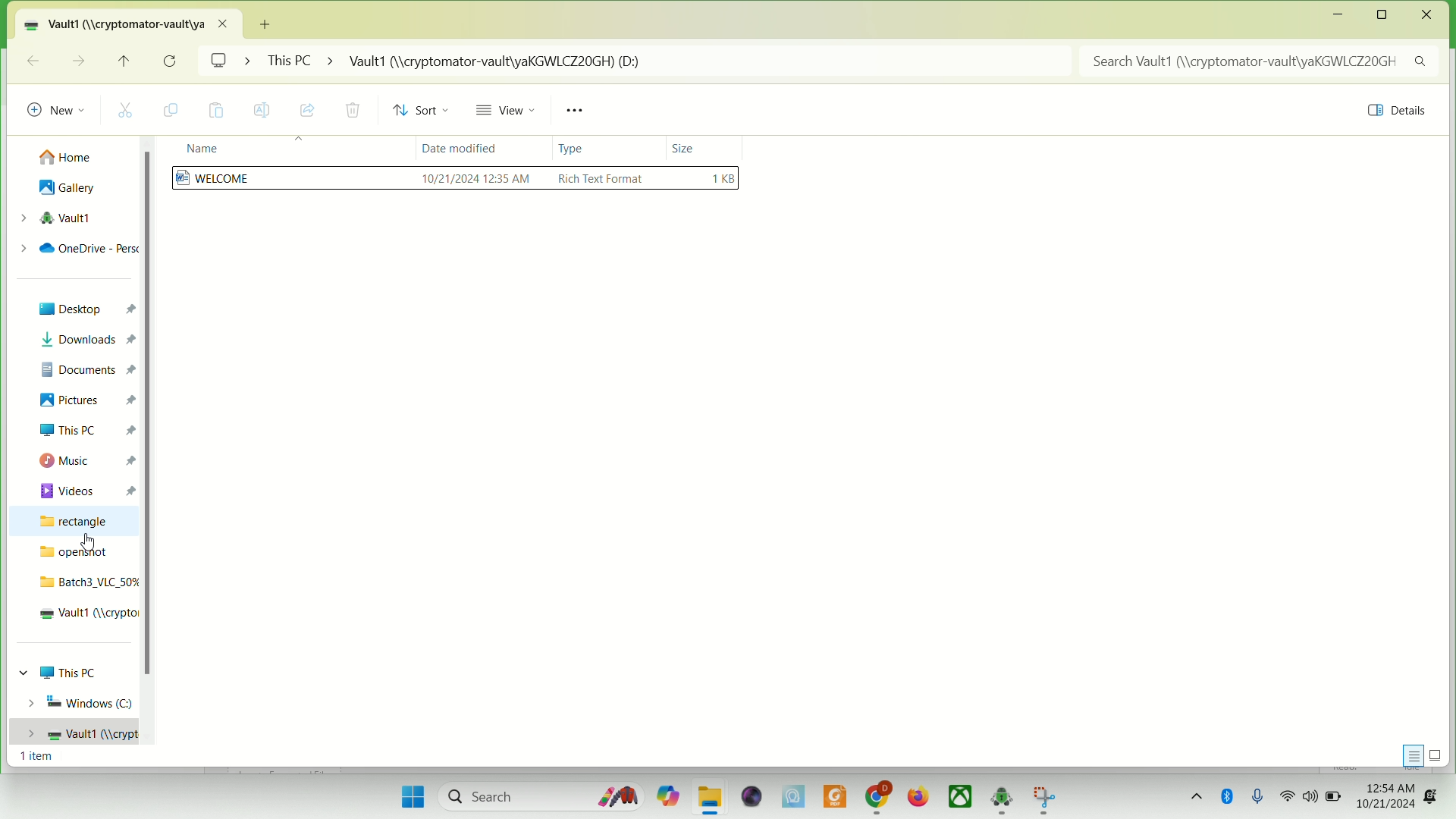 The width and height of the screenshot is (1456, 819). What do you see at coordinates (56, 106) in the screenshot?
I see `new` at bounding box center [56, 106].